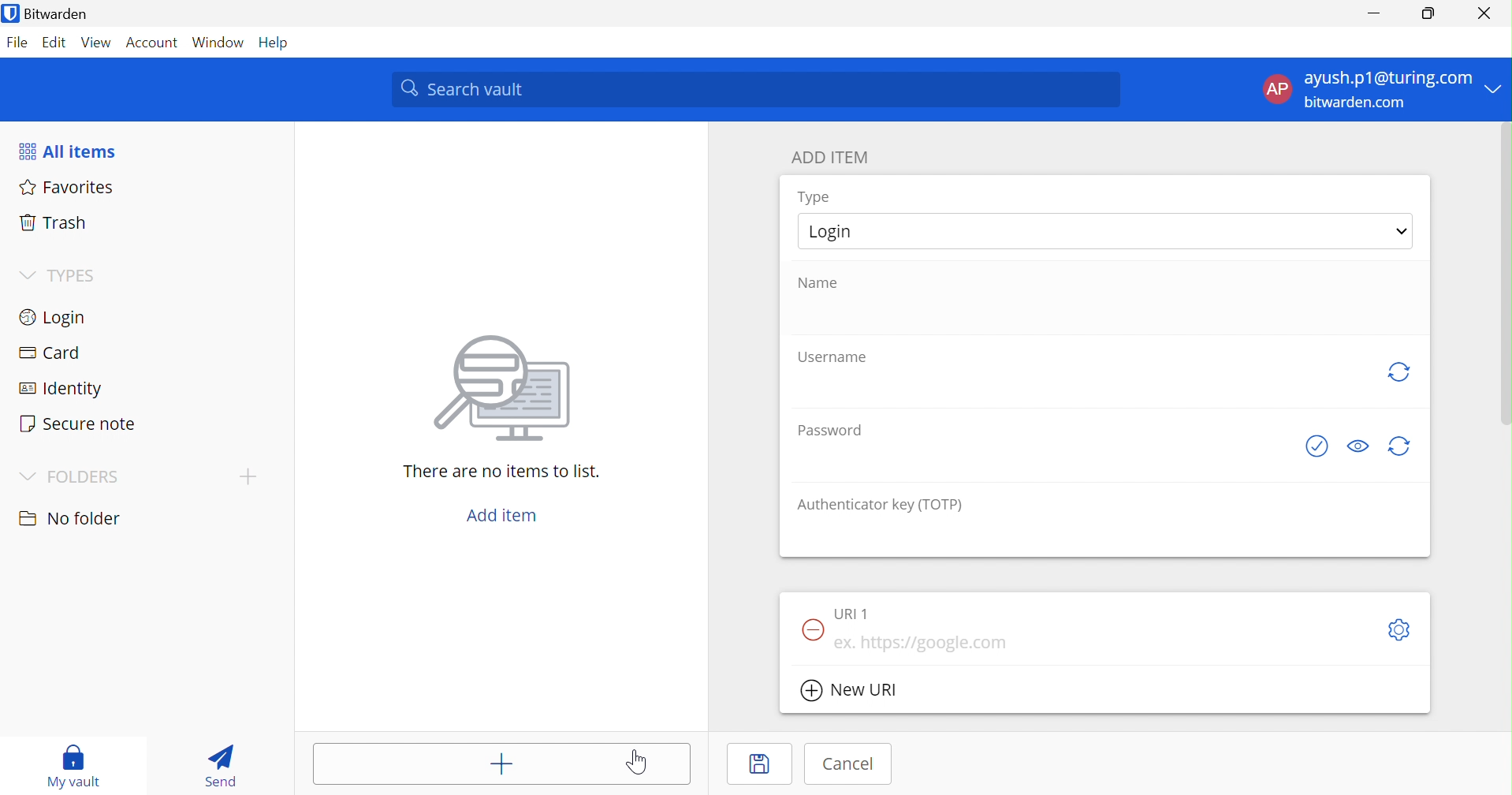 Image resolution: width=1512 pixels, height=795 pixels. Describe the element at coordinates (833, 356) in the screenshot. I see `Username` at that location.